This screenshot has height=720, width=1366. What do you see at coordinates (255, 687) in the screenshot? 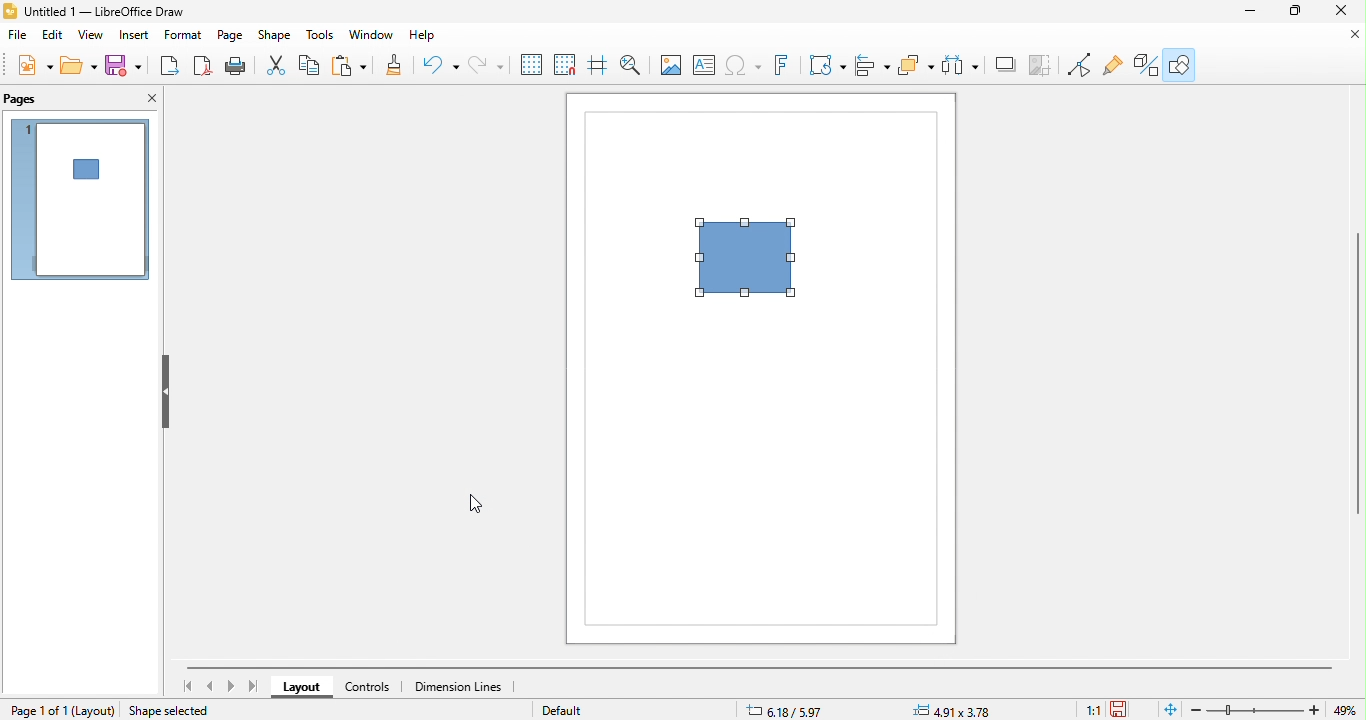
I see `last page` at bounding box center [255, 687].